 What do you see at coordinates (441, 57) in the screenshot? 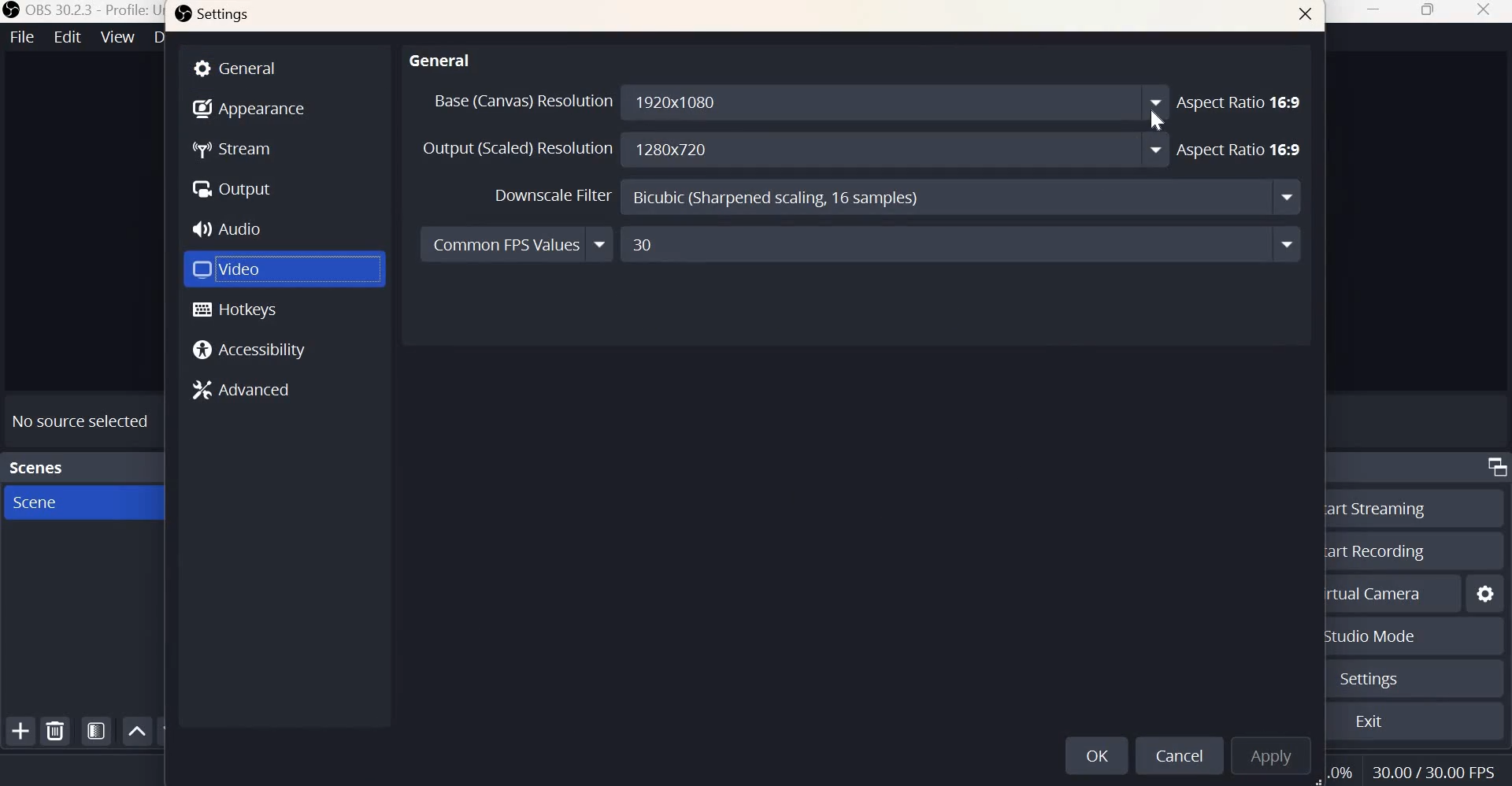
I see `General` at bounding box center [441, 57].